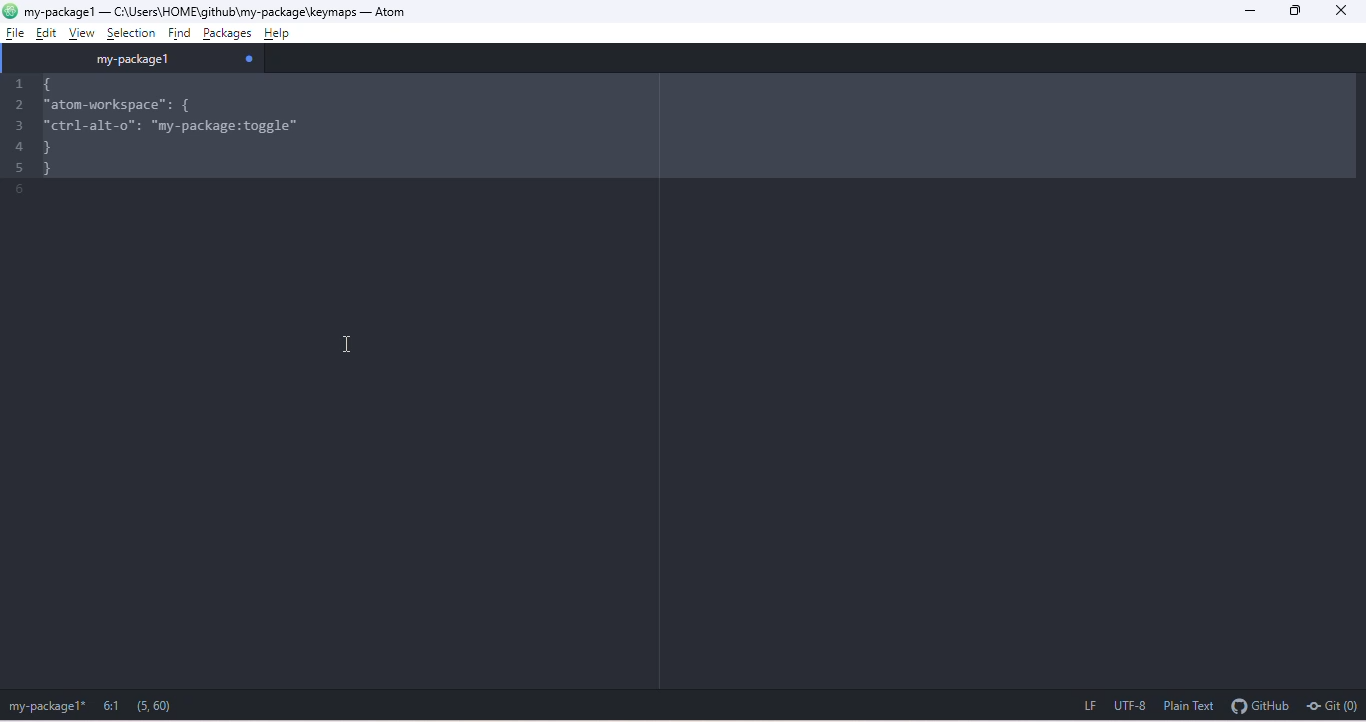  Describe the element at coordinates (59, 10) in the screenshot. I see `my-package1` at that location.